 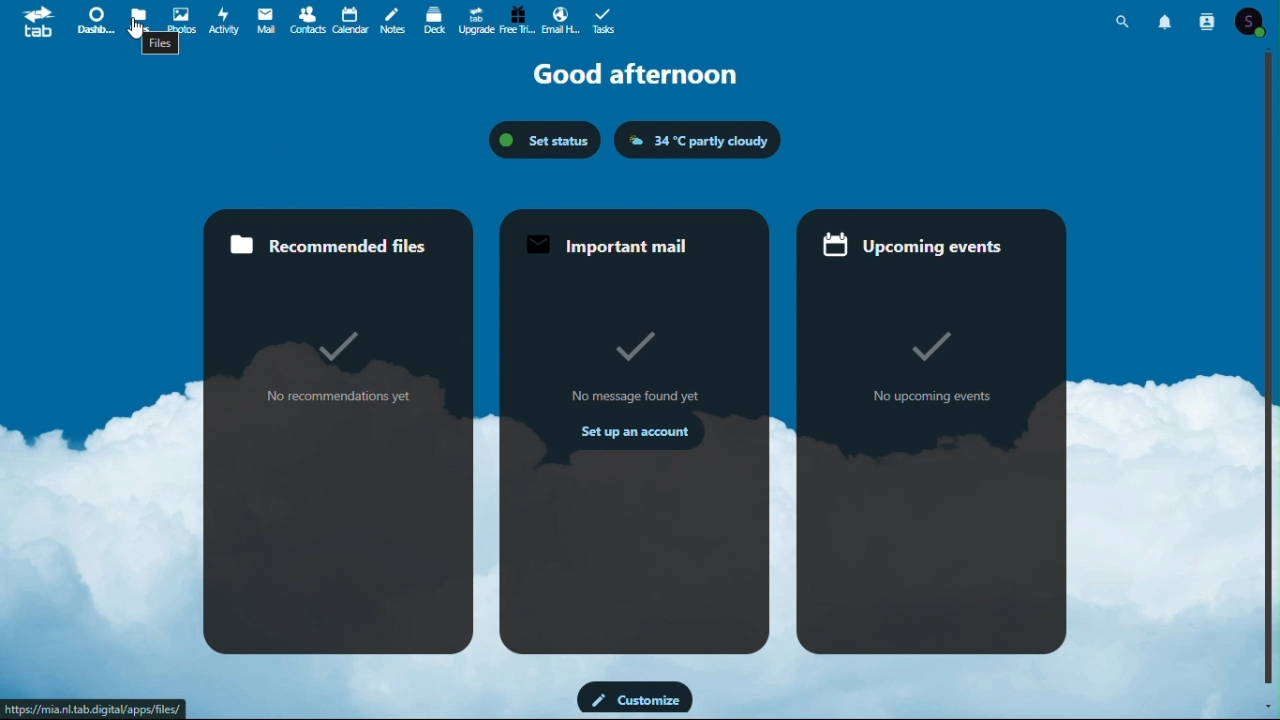 I want to click on Good afternoon, so click(x=634, y=75).